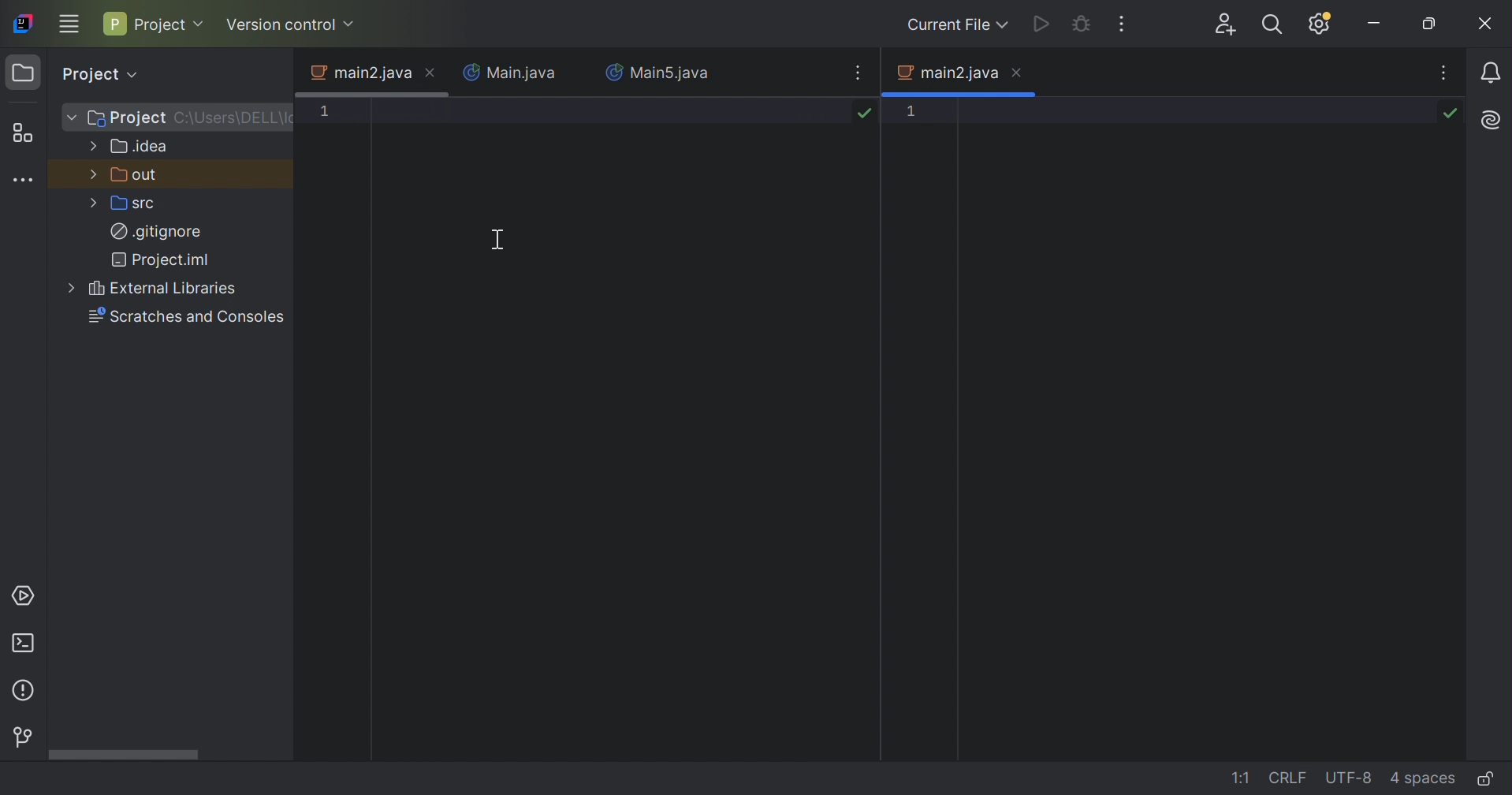 This screenshot has width=1512, height=795. I want to click on cursor, so click(497, 238).